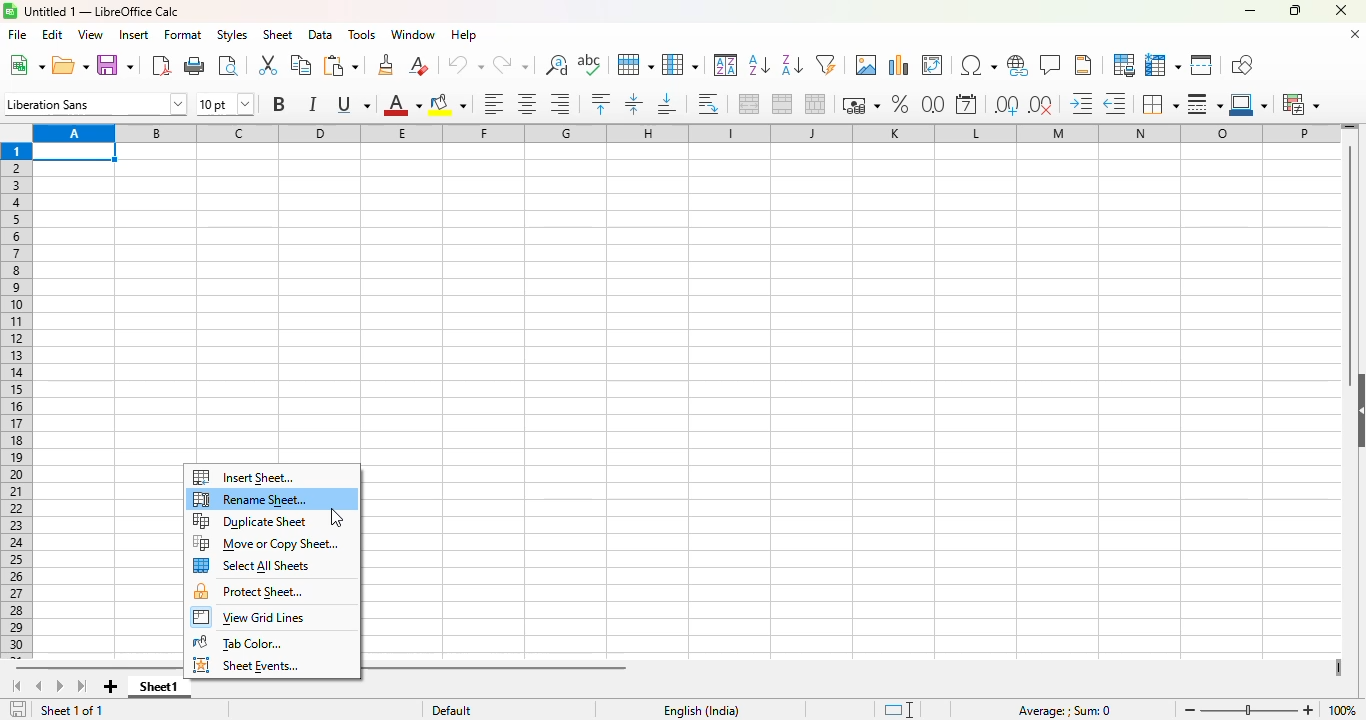  What do you see at coordinates (341, 65) in the screenshot?
I see `paste` at bounding box center [341, 65].